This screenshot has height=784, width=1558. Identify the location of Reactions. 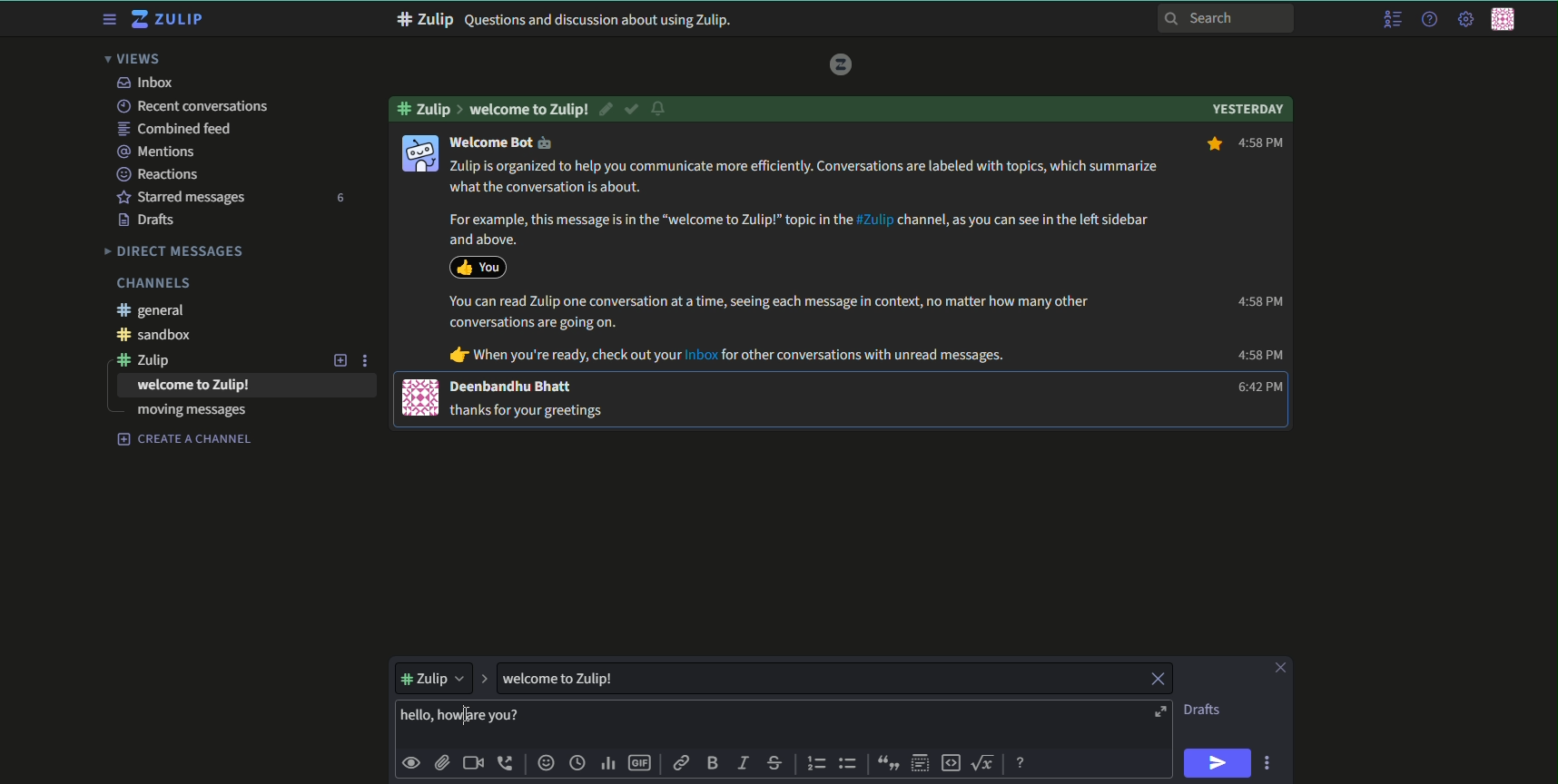
(163, 173).